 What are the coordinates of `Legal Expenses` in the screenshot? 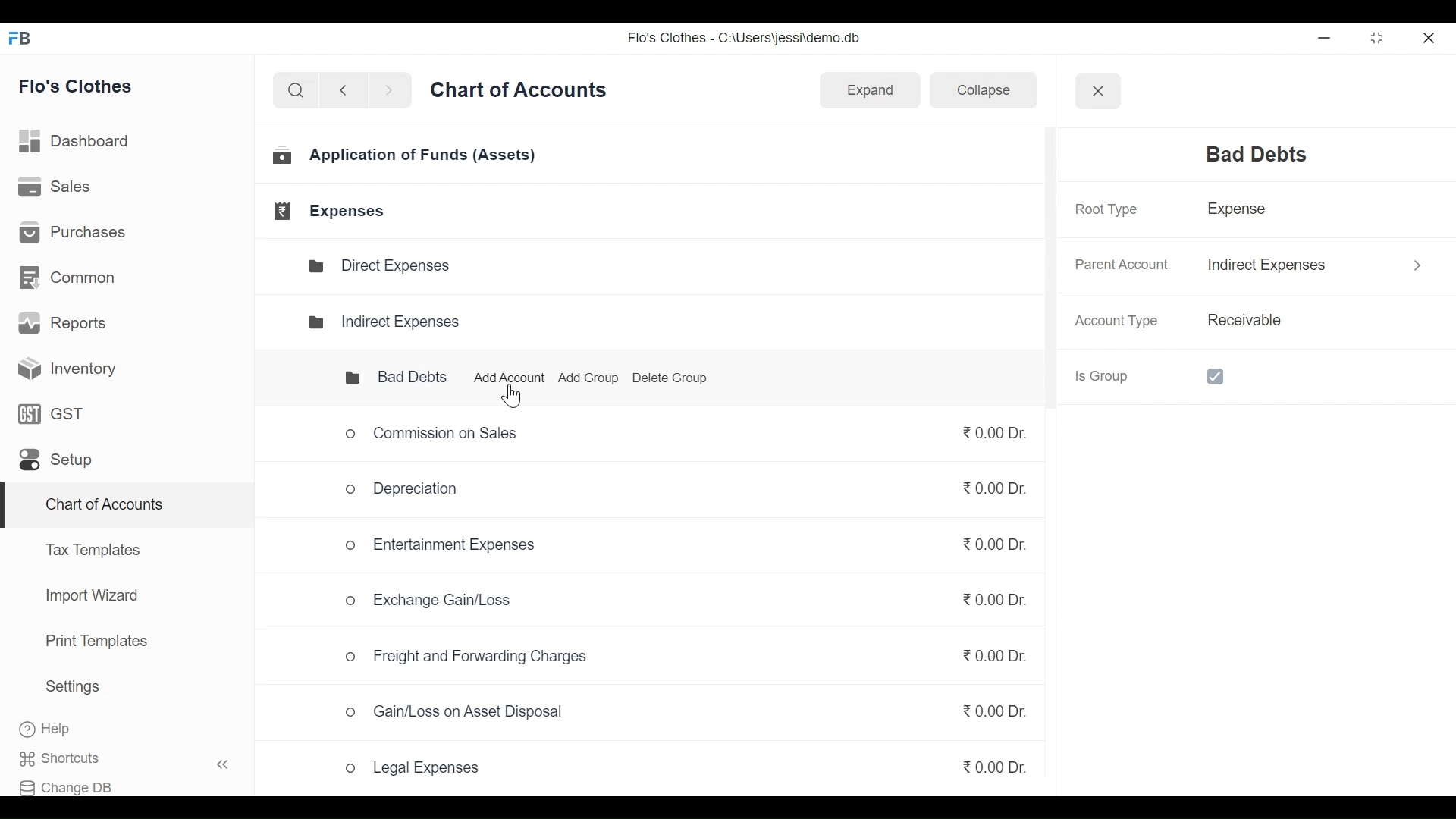 It's located at (413, 770).